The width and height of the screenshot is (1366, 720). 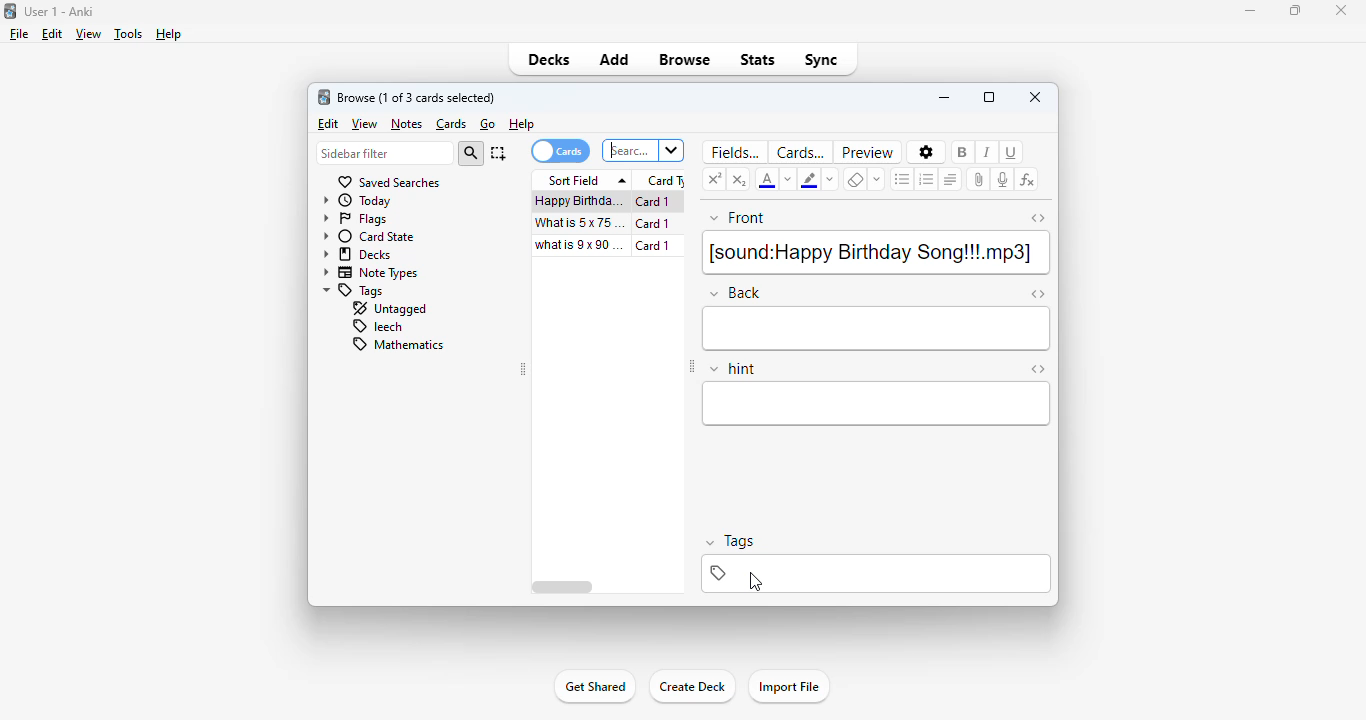 I want to click on what is 5x75=?, so click(x=580, y=222).